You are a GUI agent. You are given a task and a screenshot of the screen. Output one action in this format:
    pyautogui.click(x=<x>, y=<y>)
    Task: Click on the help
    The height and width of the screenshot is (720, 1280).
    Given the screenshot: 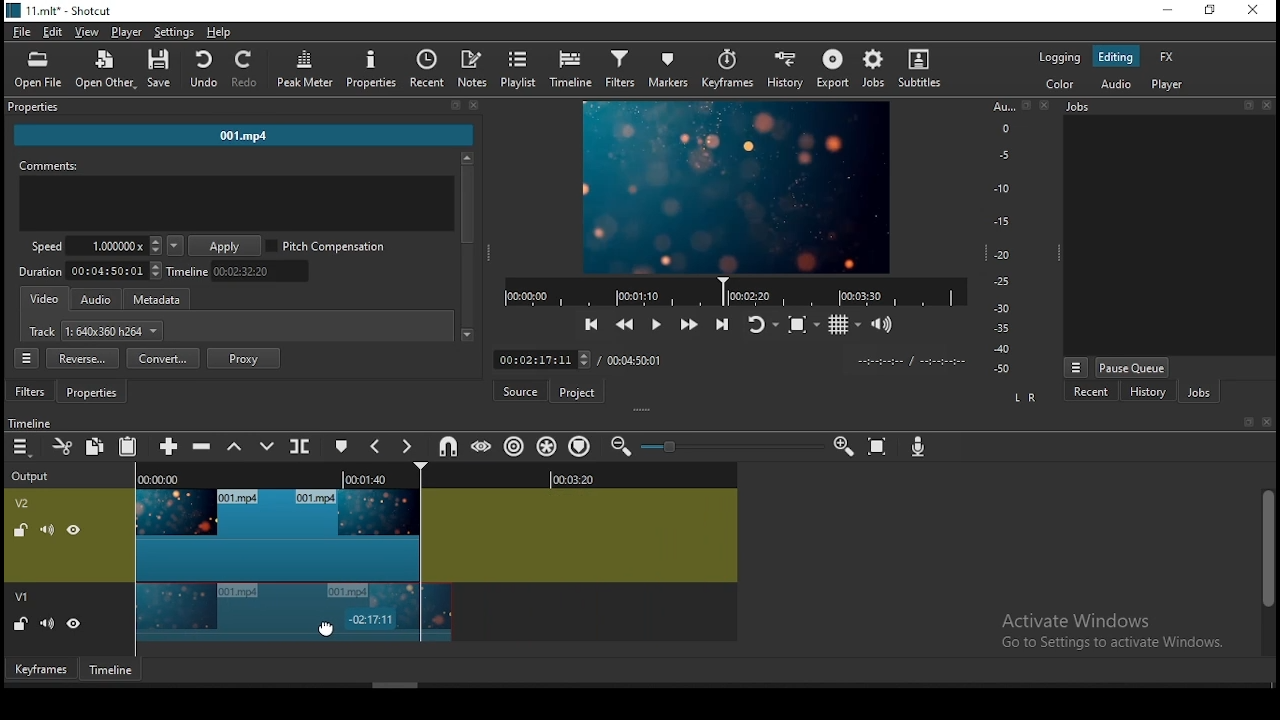 What is the action you would take?
    pyautogui.click(x=219, y=31)
    